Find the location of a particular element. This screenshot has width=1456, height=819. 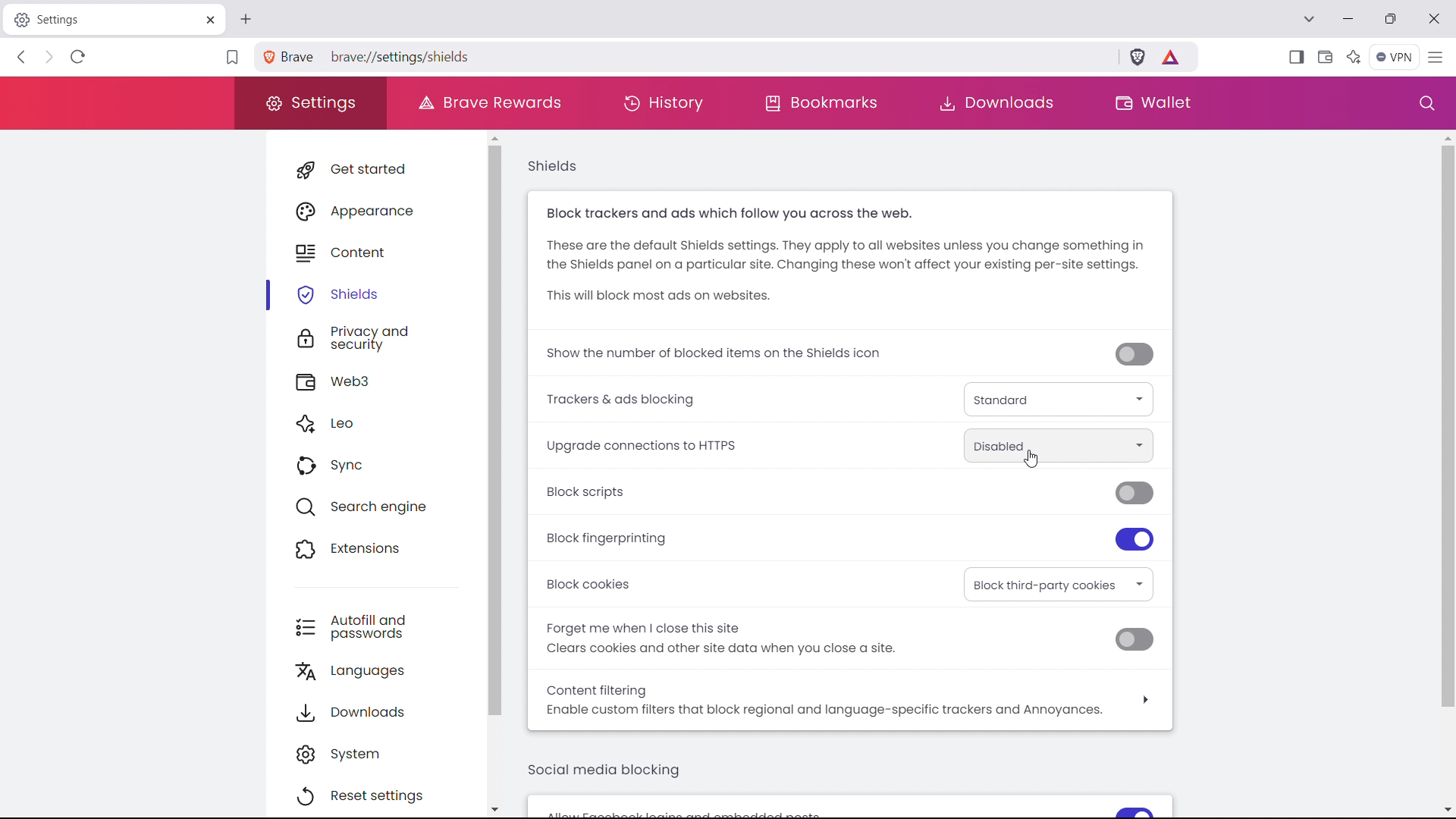

web3 is located at coordinates (385, 380).